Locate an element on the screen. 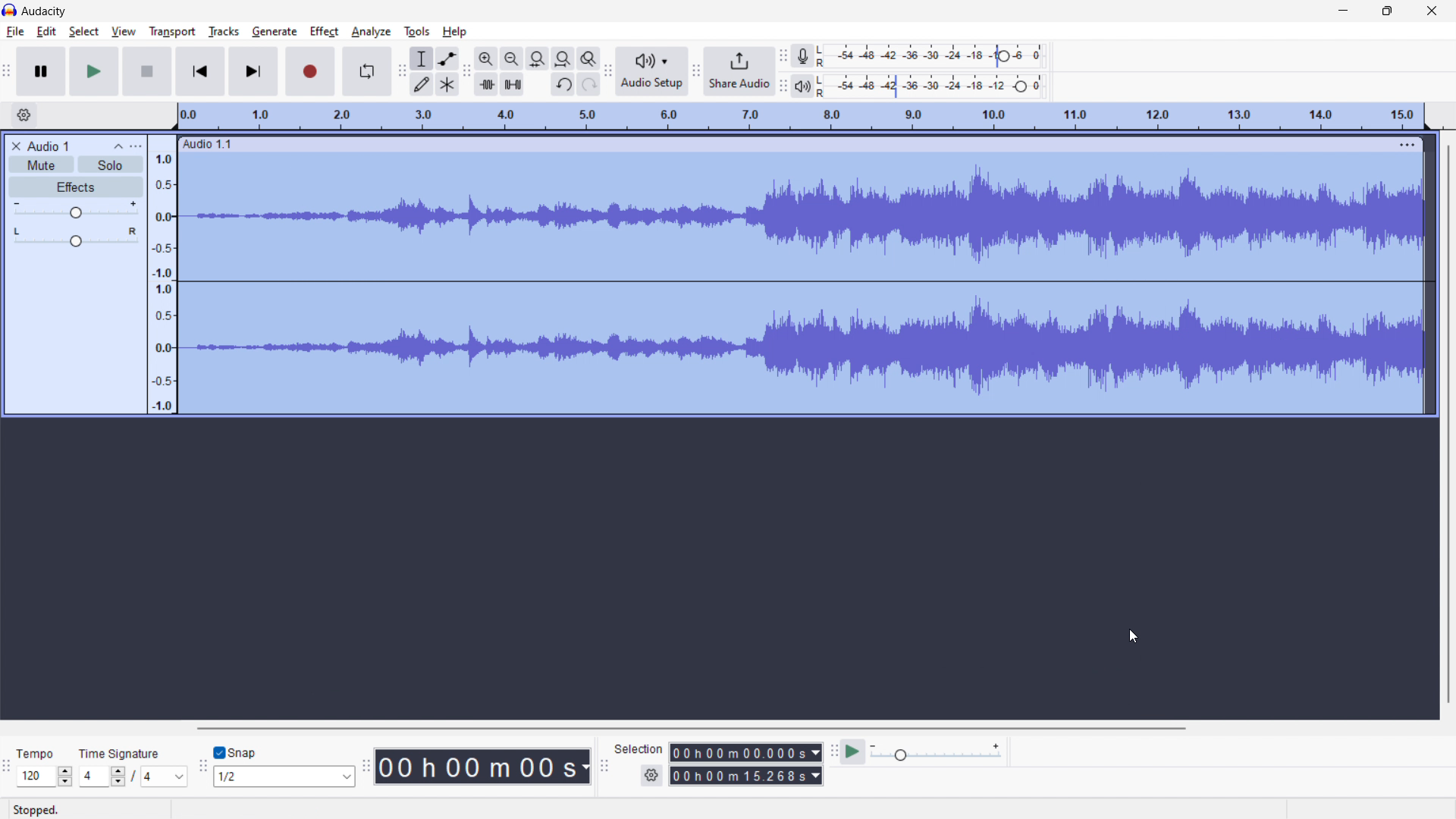  recording meter toolbar is located at coordinates (784, 56).